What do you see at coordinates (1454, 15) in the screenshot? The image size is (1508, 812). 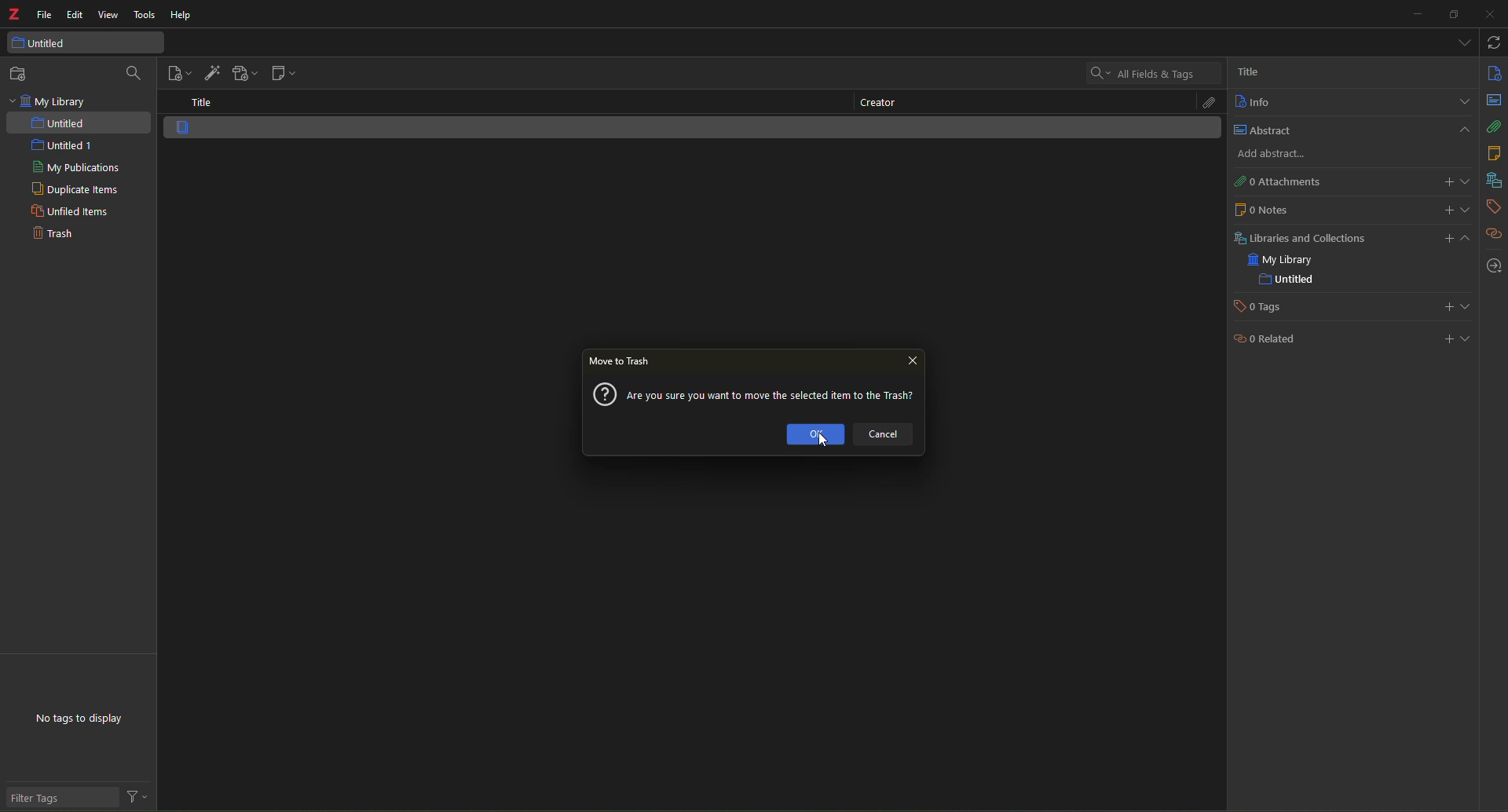 I see `maximize` at bounding box center [1454, 15].